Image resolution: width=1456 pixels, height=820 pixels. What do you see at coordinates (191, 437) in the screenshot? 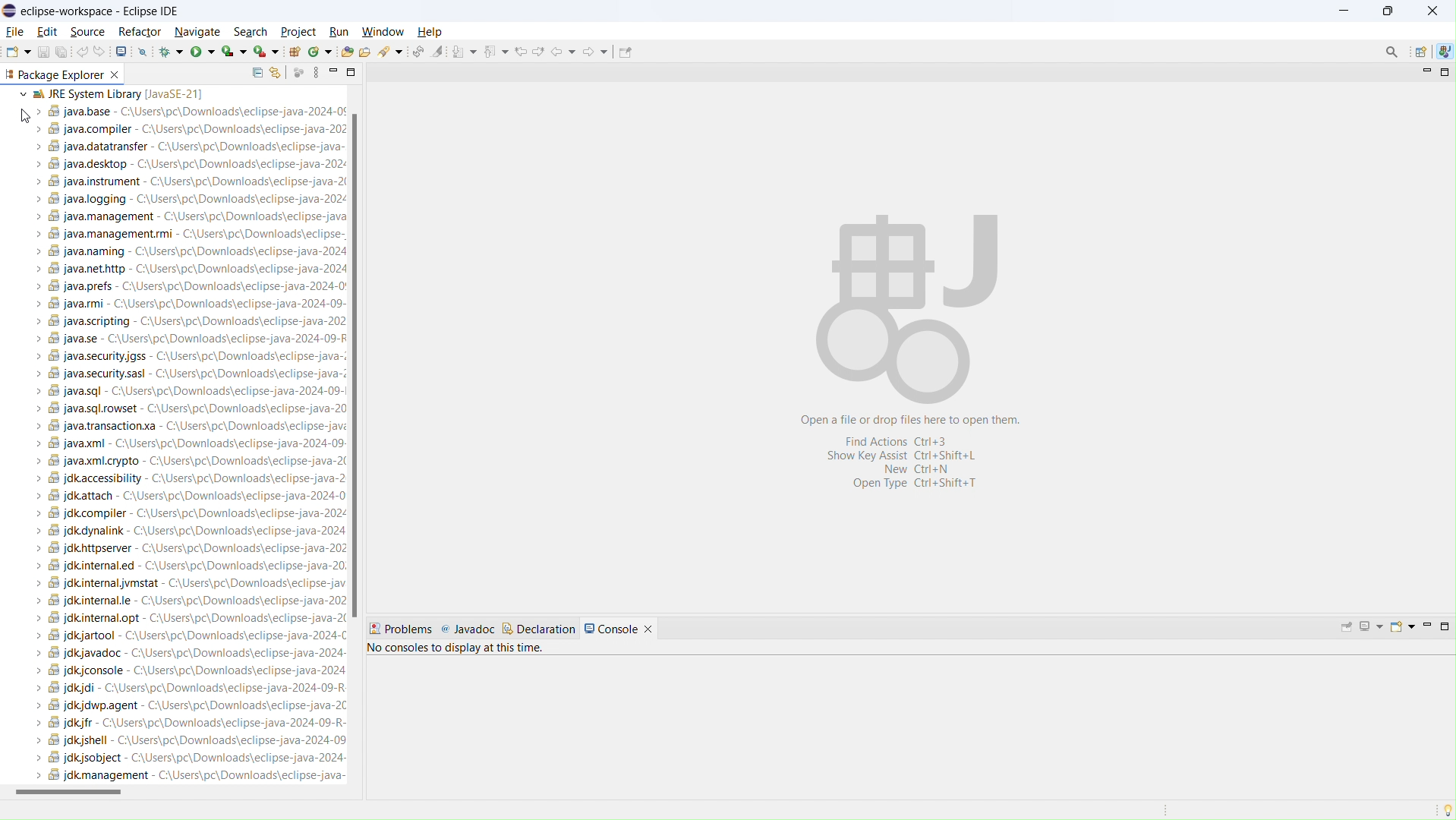
I see `JRE System Library` at bounding box center [191, 437].